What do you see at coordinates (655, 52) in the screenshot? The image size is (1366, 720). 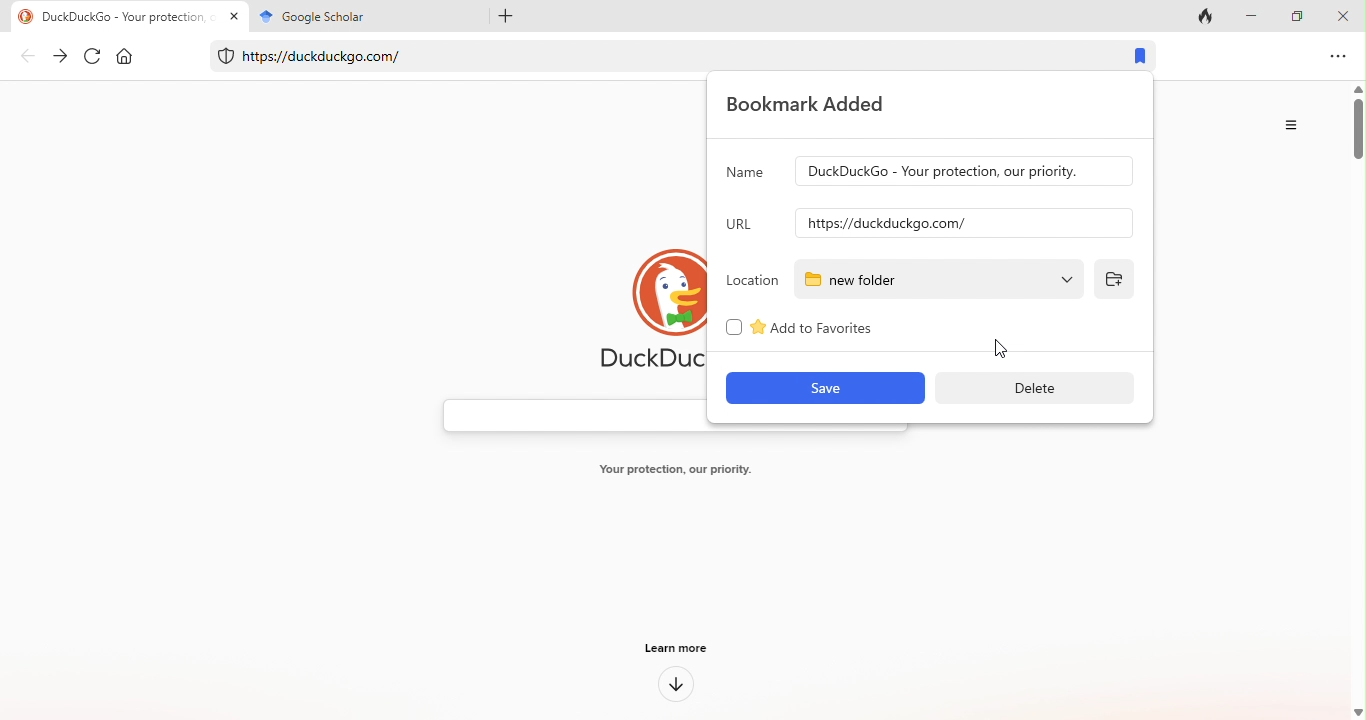 I see `web link` at bounding box center [655, 52].